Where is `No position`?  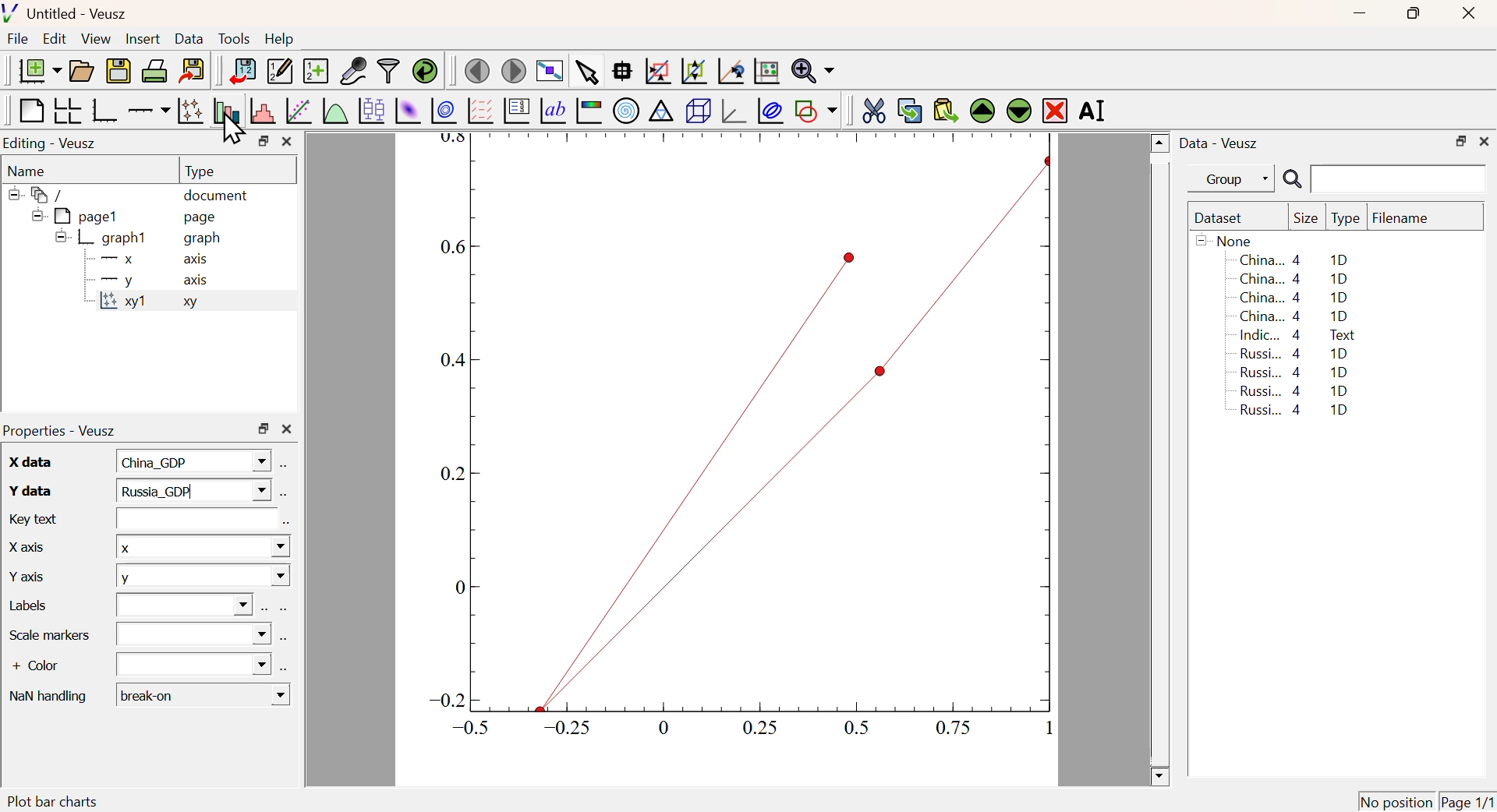 No position is located at coordinates (1396, 801).